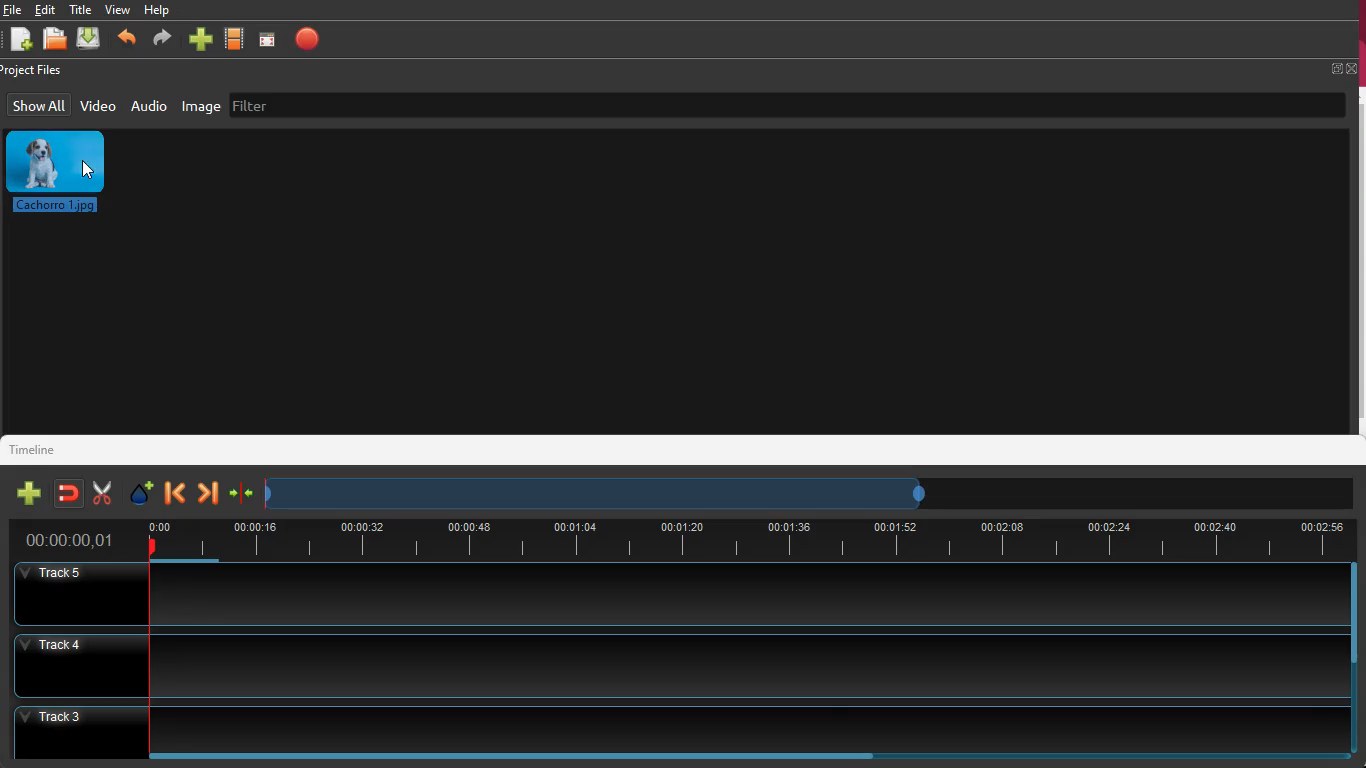 The width and height of the screenshot is (1366, 768). What do you see at coordinates (200, 39) in the screenshot?
I see `more` at bounding box center [200, 39].